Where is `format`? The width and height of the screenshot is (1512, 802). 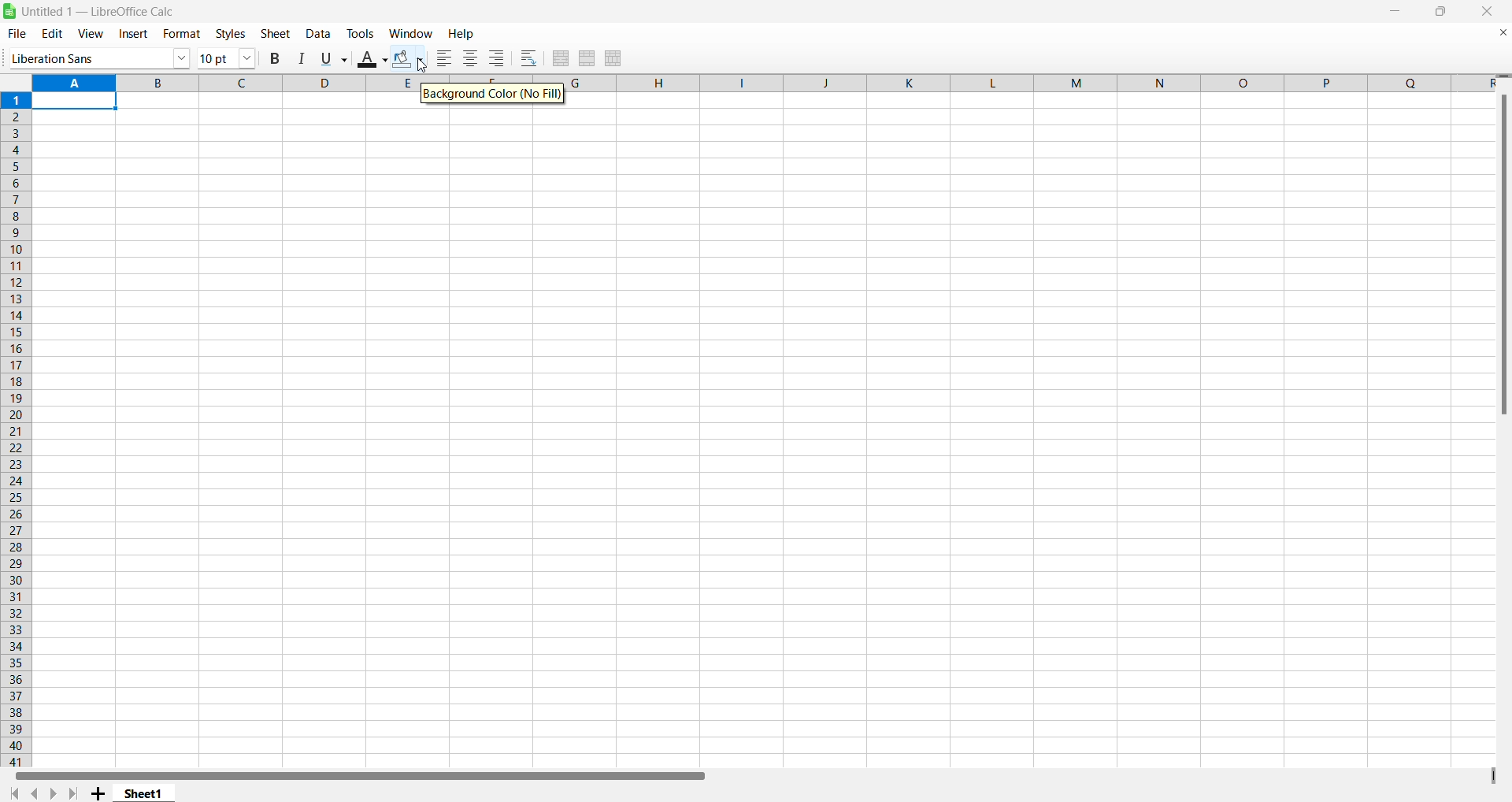 format is located at coordinates (178, 34).